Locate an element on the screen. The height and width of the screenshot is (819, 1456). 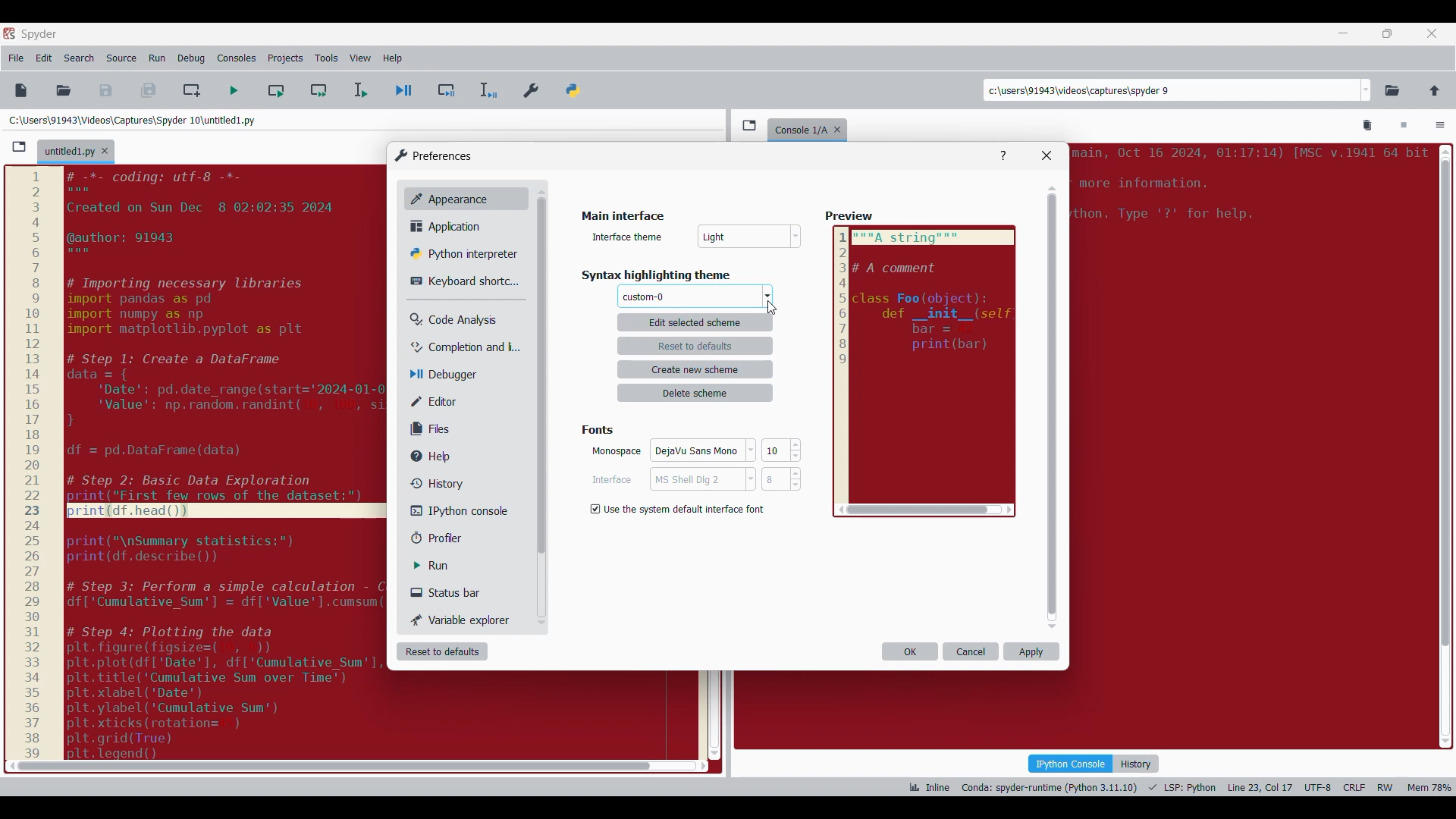
Browse tabs is located at coordinates (749, 125).